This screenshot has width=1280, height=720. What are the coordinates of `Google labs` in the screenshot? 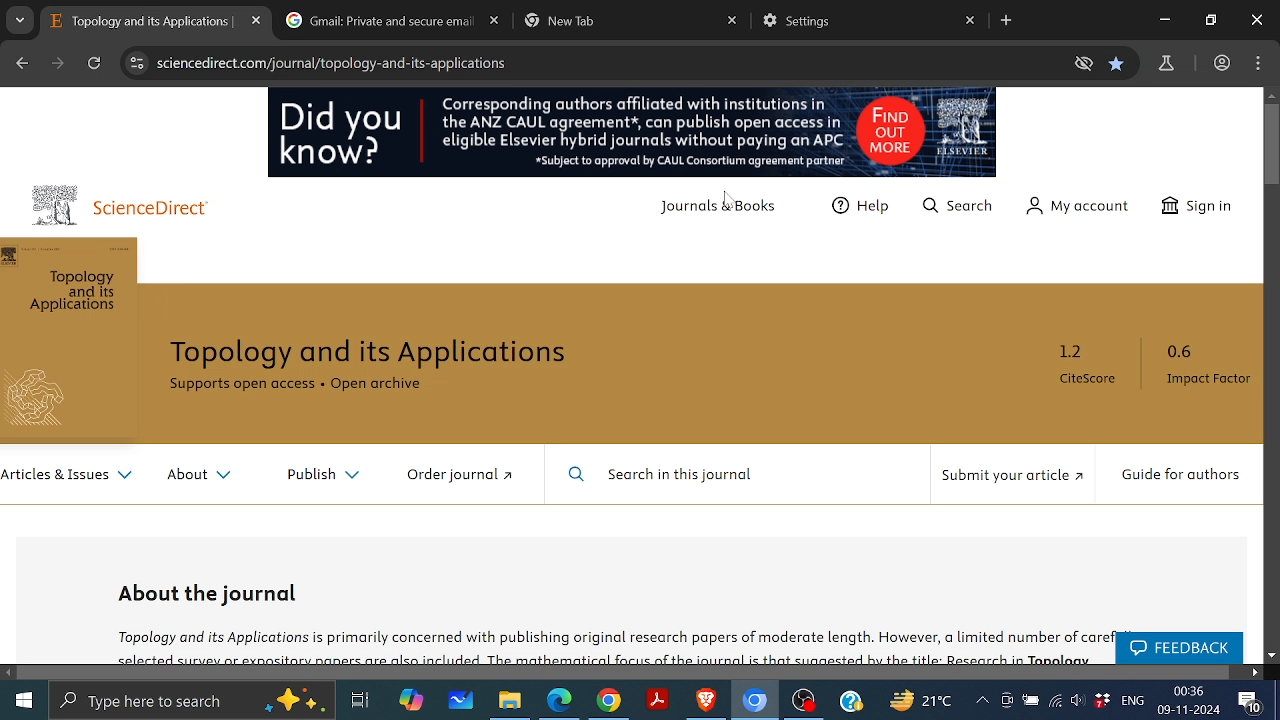 It's located at (1165, 63).